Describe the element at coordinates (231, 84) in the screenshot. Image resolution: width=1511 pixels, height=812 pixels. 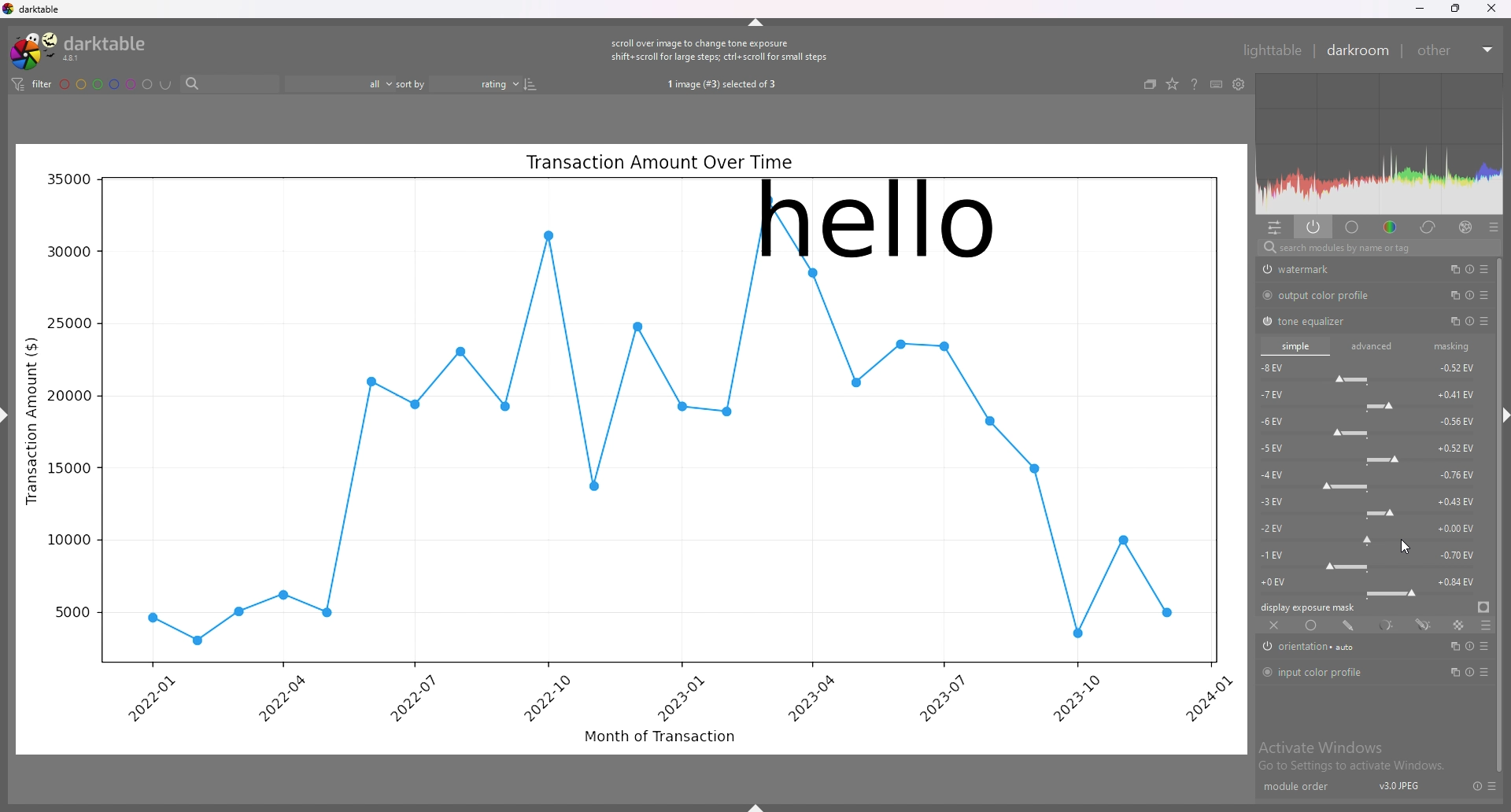
I see `search bar` at that location.